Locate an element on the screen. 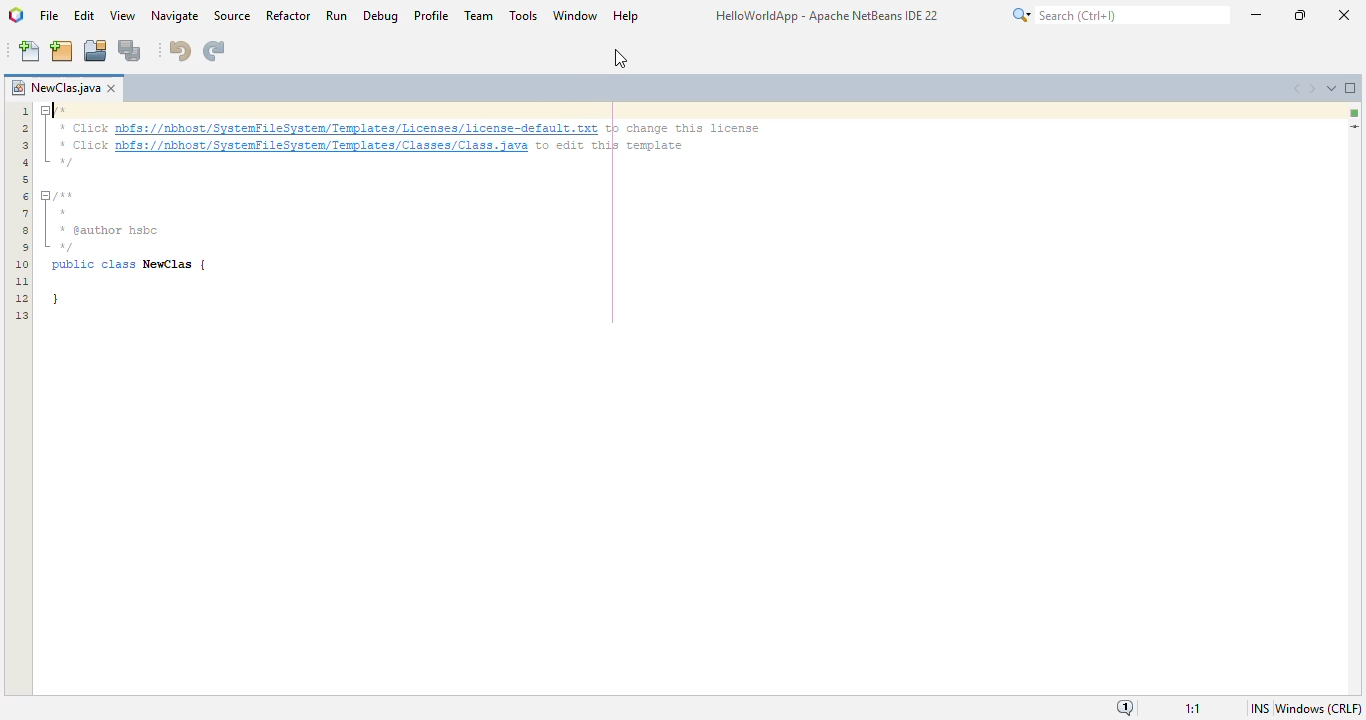  navigate is located at coordinates (174, 16).